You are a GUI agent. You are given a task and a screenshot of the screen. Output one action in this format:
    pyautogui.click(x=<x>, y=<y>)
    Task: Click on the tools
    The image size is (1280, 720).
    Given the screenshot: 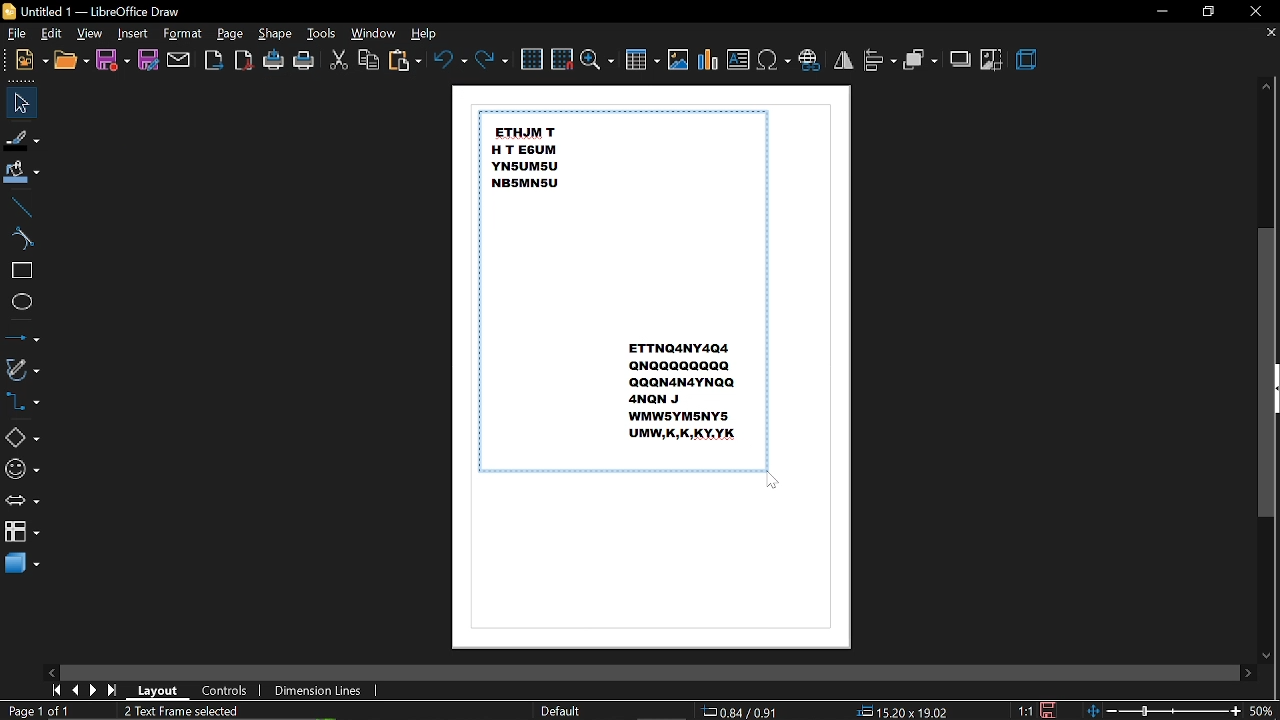 What is the action you would take?
    pyautogui.click(x=324, y=33)
    